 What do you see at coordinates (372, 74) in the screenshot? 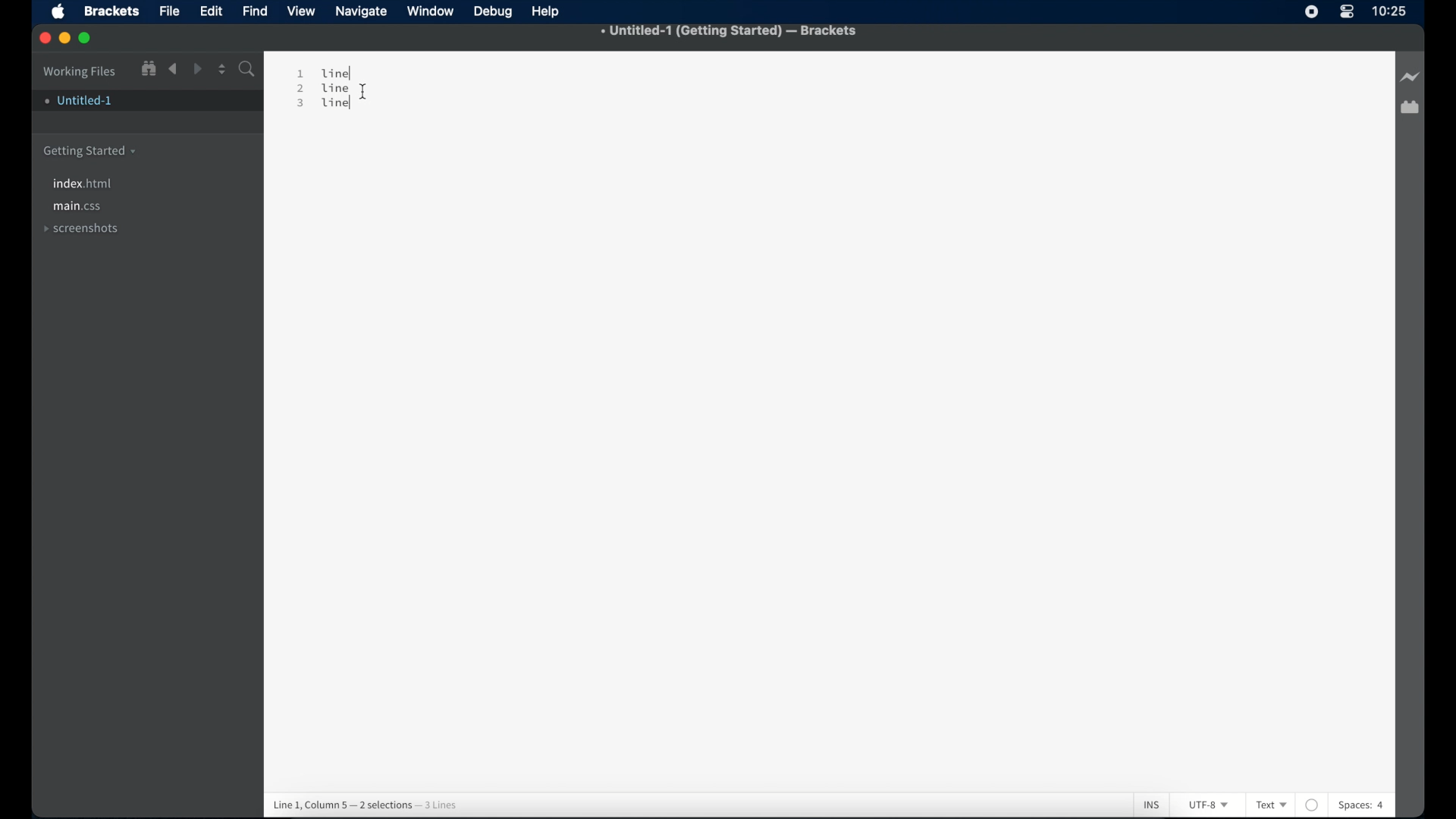
I see `I beam cursor` at bounding box center [372, 74].